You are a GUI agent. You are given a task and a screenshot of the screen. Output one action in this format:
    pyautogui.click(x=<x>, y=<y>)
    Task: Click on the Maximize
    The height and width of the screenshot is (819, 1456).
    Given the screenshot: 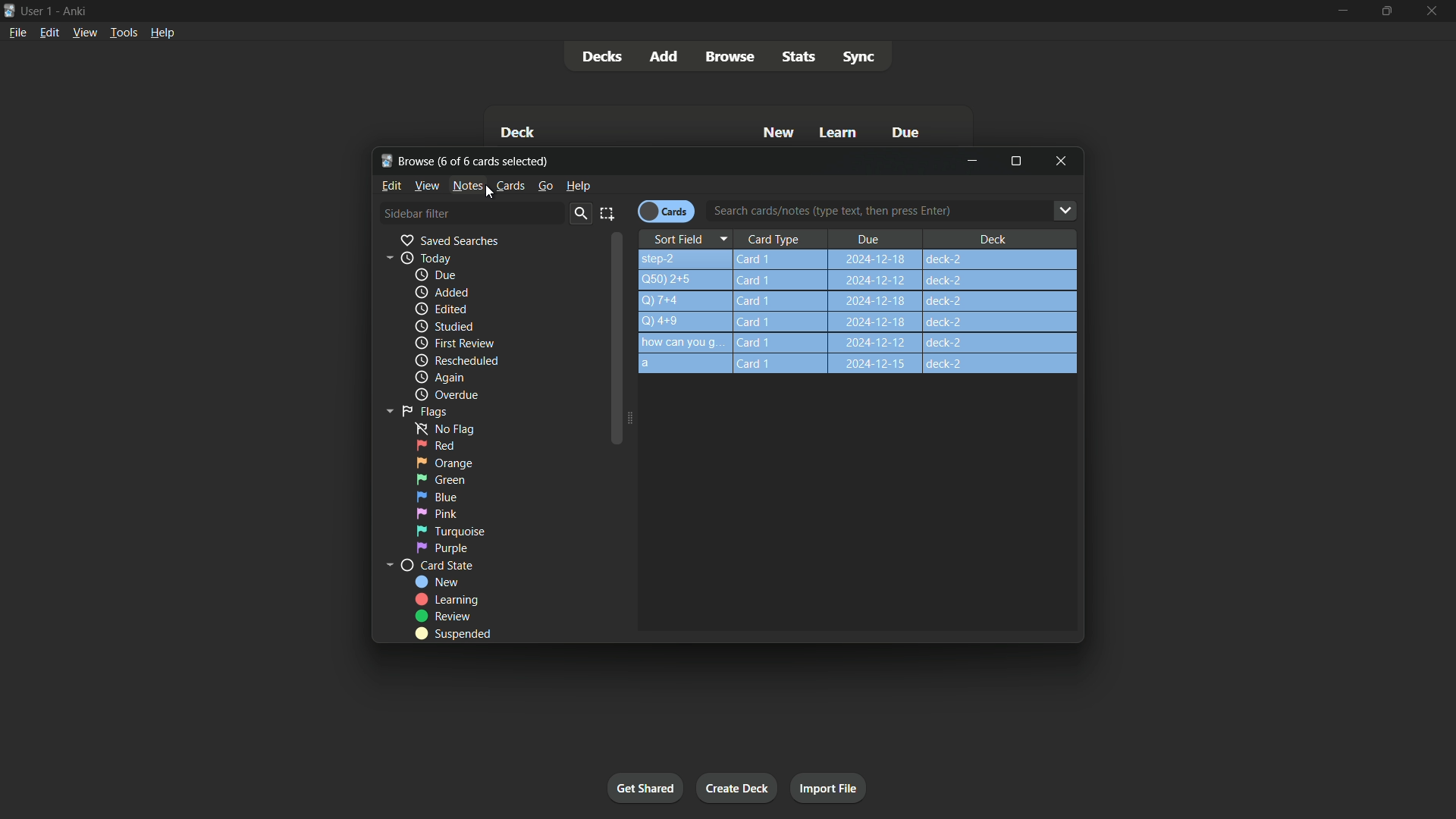 What is the action you would take?
    pyautogui.click(x=1385, y=11)
    